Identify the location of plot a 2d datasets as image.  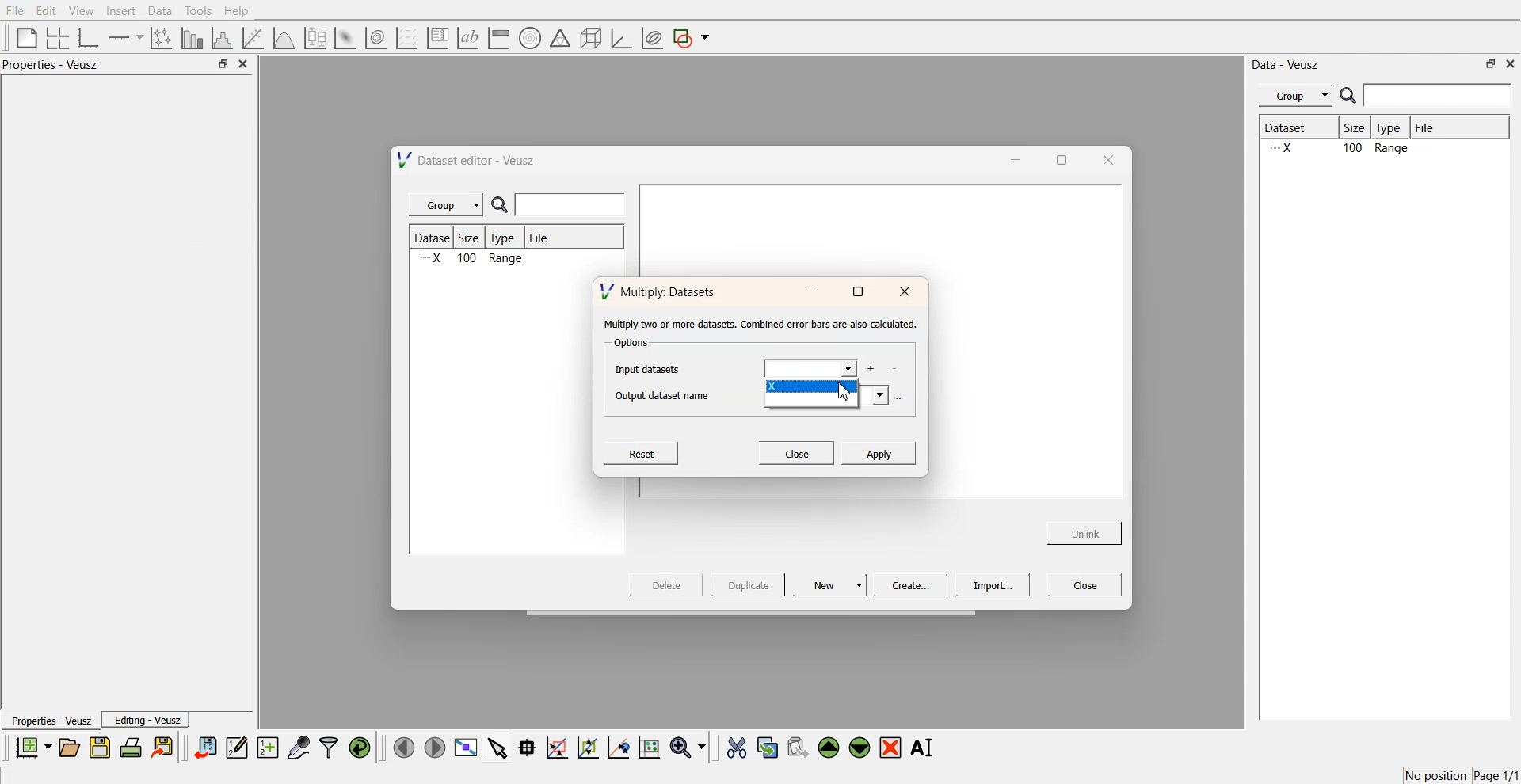
(344, 37).